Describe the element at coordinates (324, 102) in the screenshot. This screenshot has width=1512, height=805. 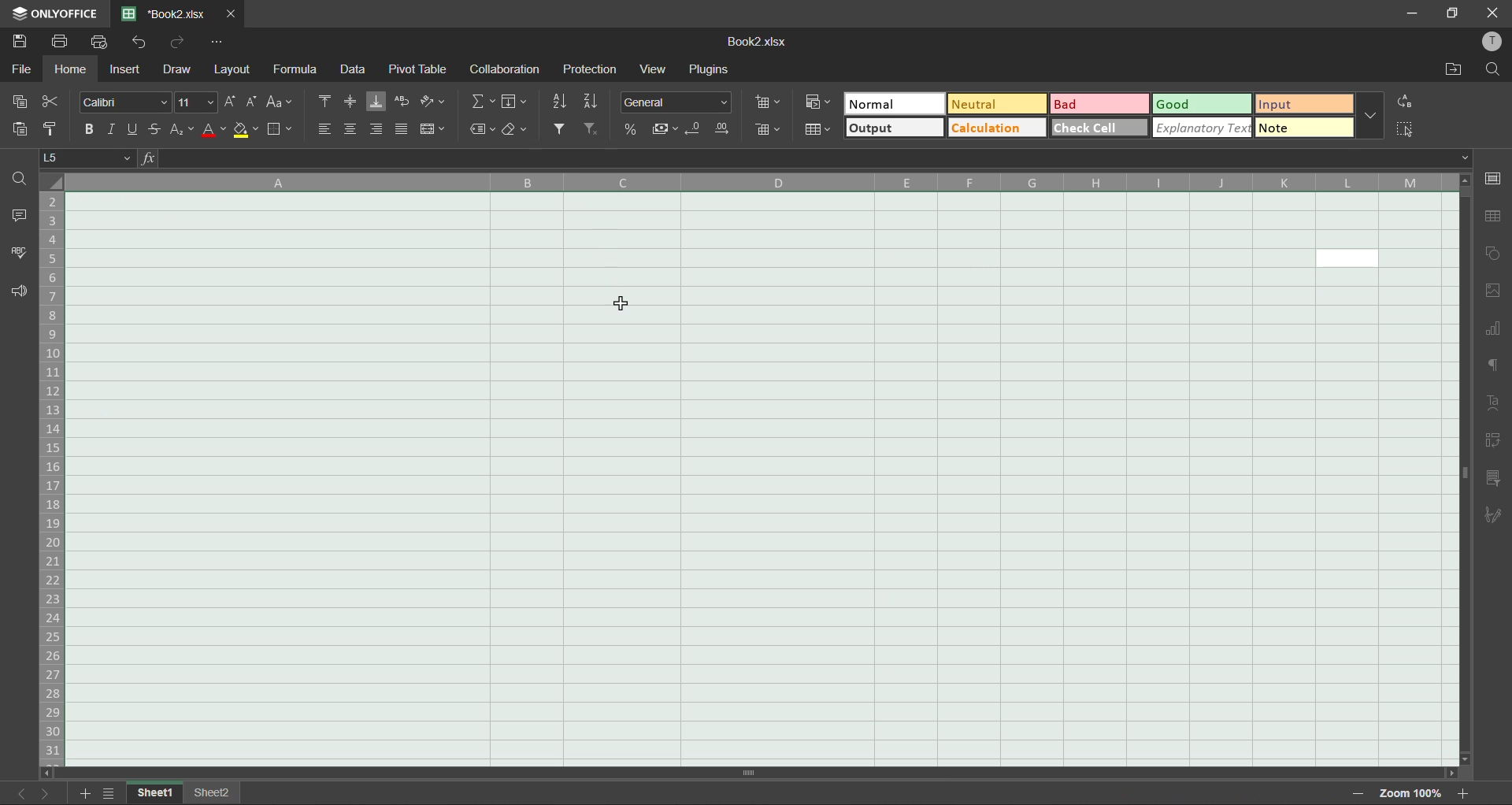
I see `align top` at that location.